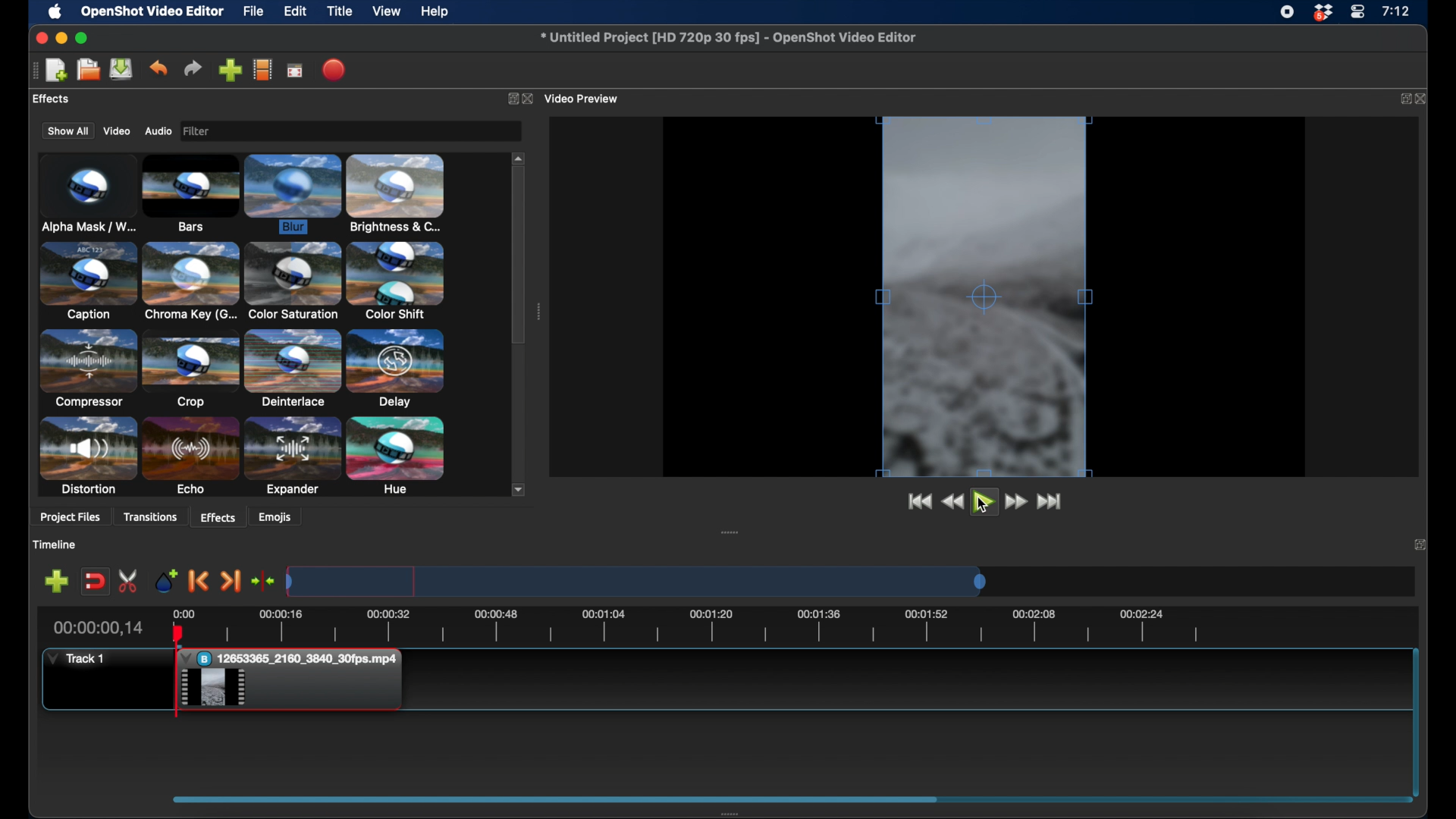 The image size is (1456, 819). Describe the element at coordinates (264, 580) in the screenshot. I see `center the playhead on timeline` at that location.